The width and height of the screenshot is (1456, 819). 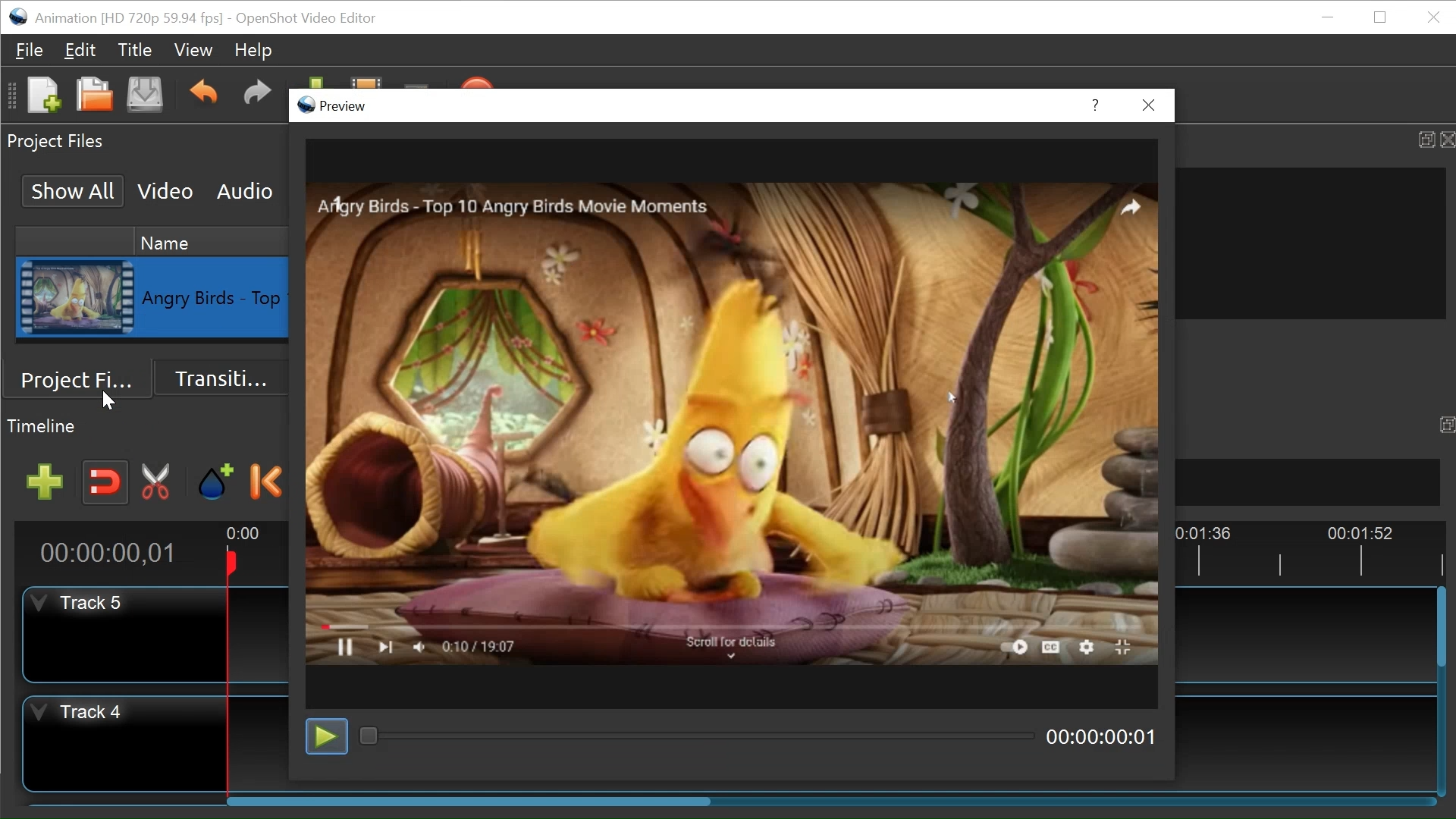 What do you see at coordinates (1100, 737) in the screenshot?
I see `Current Position of the Display` at bounding box center [1100, 737].